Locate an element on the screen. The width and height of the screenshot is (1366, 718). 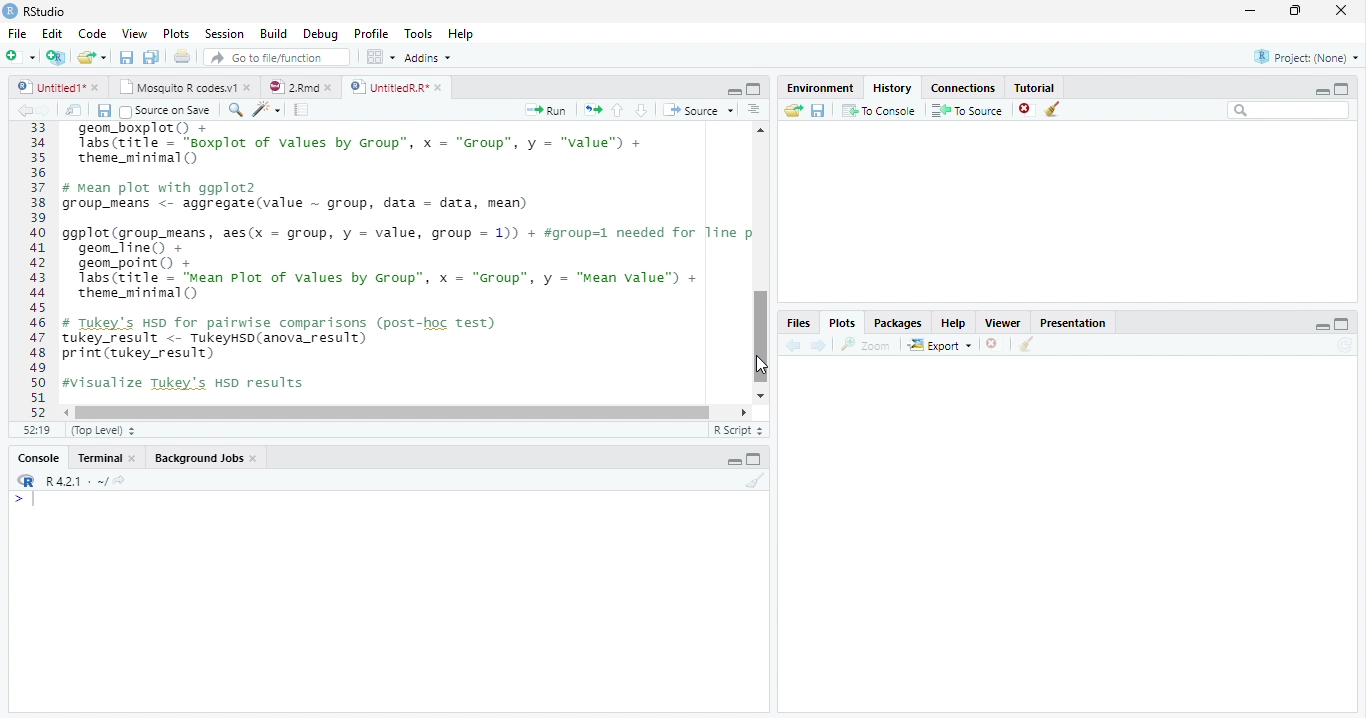
Next is located at coordinates (52, 111).